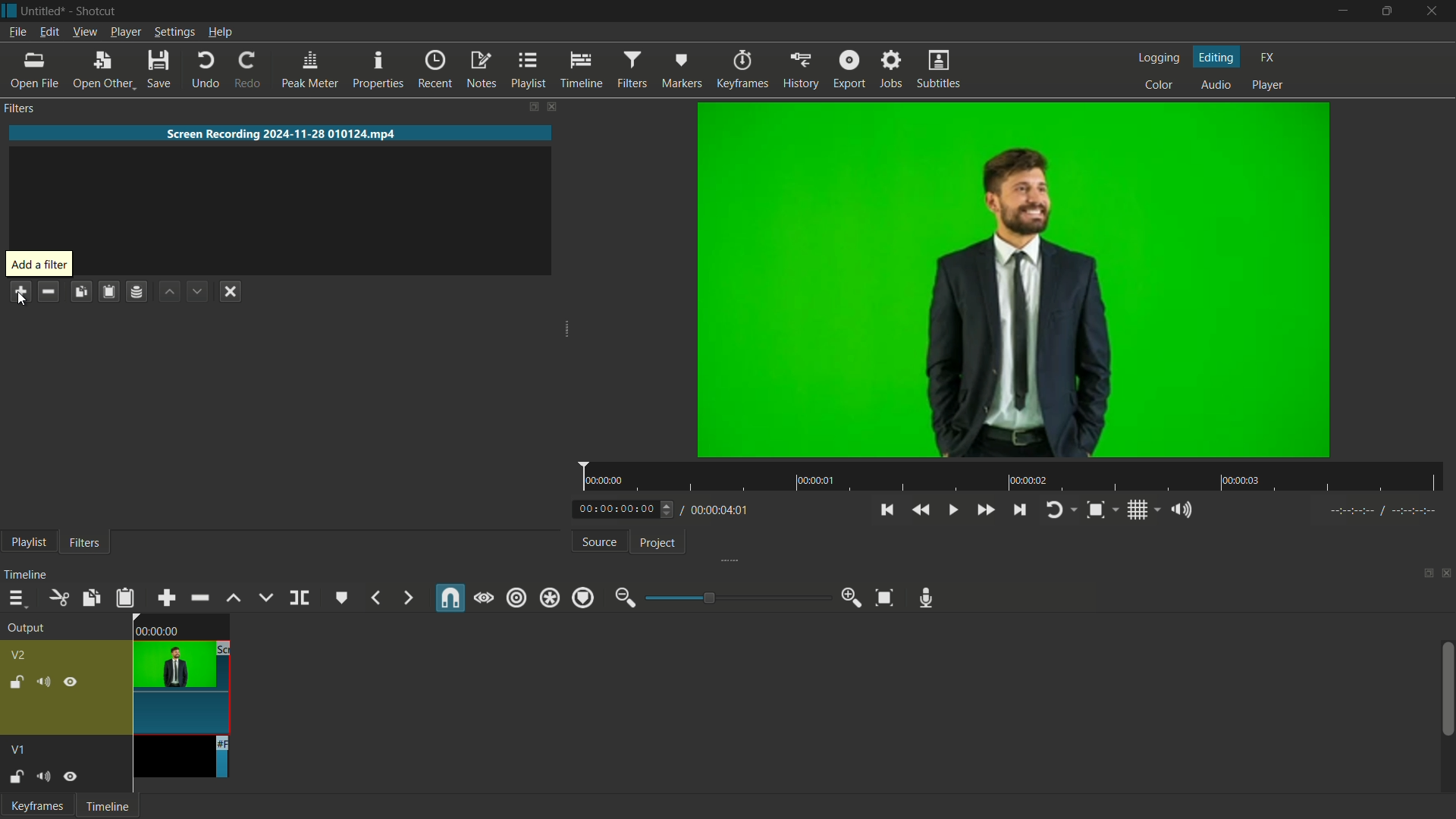 The width and height of the screenshot is (1456, 819). Describe the element at coordinates (29, 542) in the screenshot. I see `playlist` at that location.